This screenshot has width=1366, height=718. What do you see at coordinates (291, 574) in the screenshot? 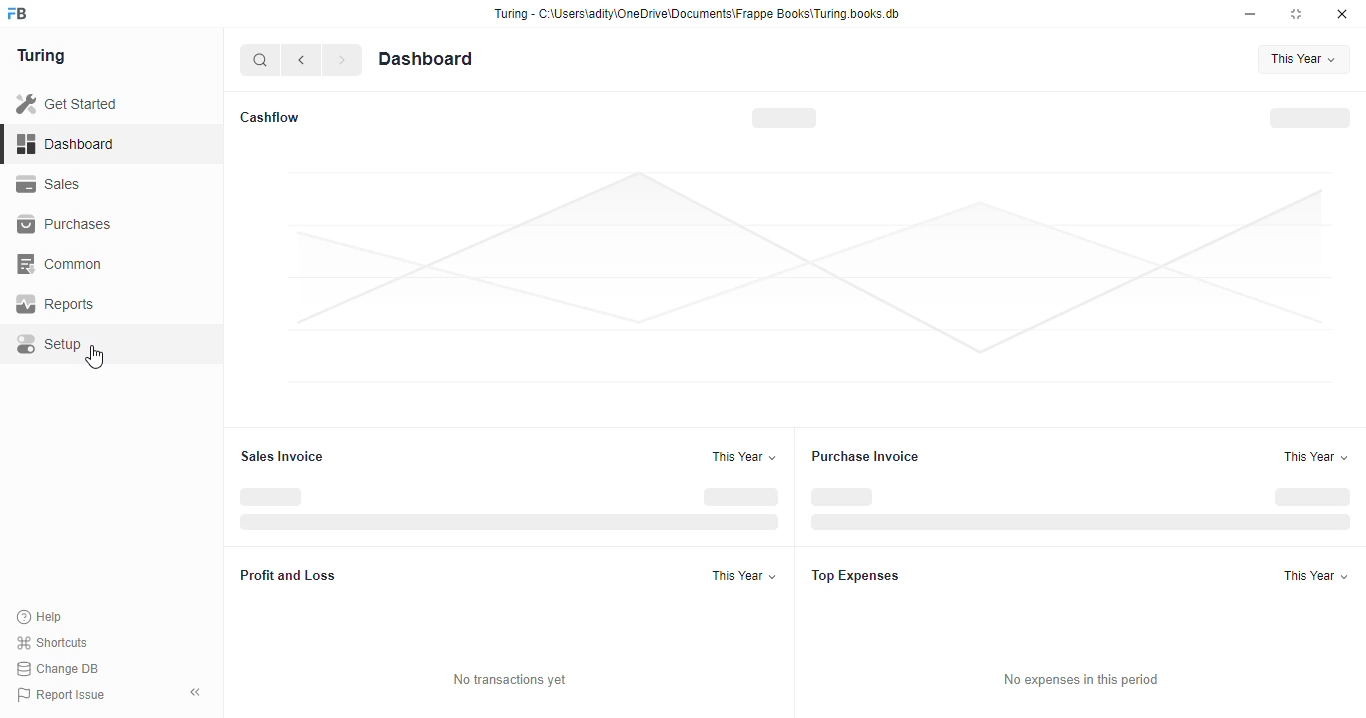
I see `Profit and Loss` at bounding box center [291, 574].